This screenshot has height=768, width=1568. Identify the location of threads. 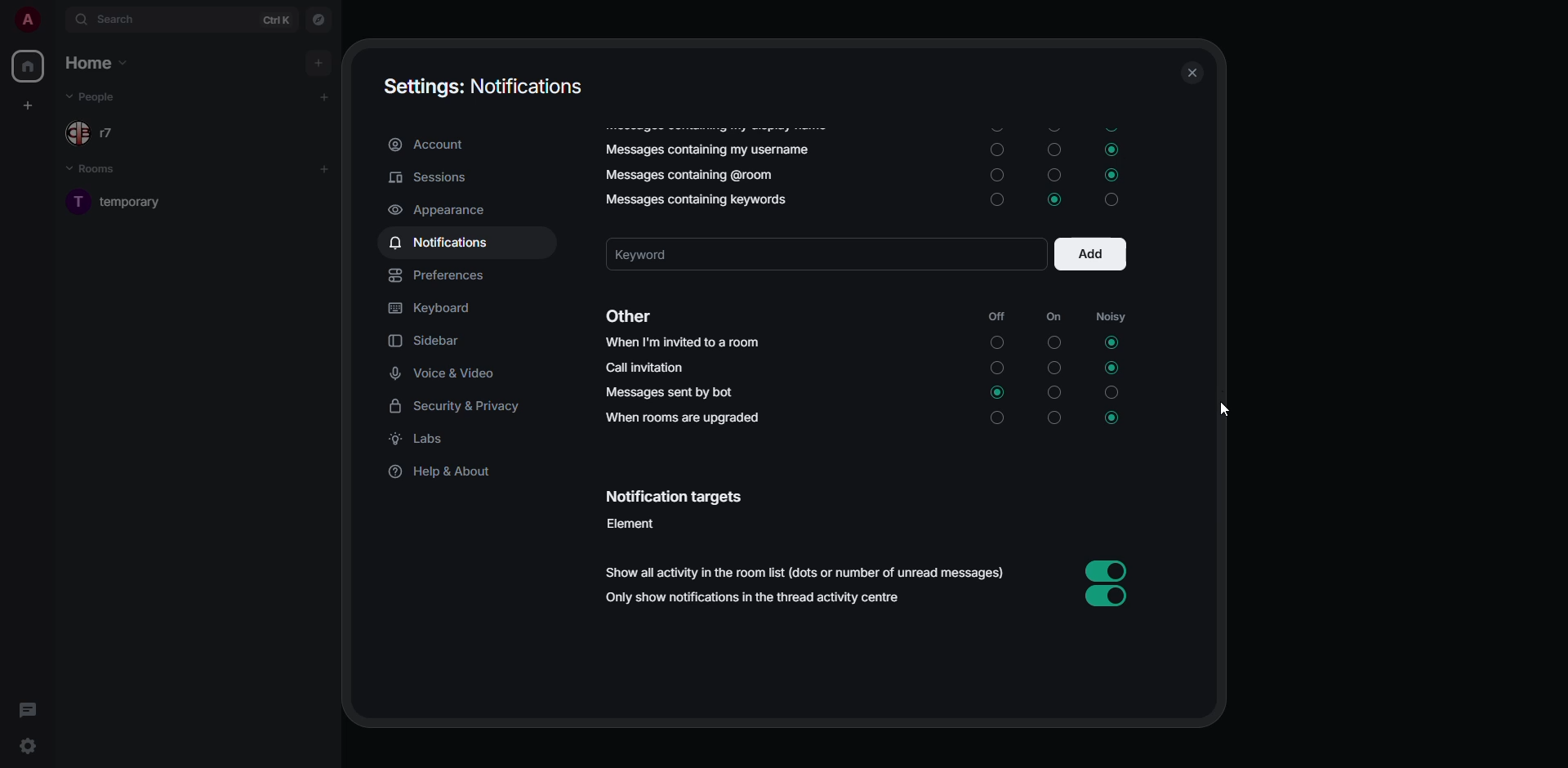
(27, 709).